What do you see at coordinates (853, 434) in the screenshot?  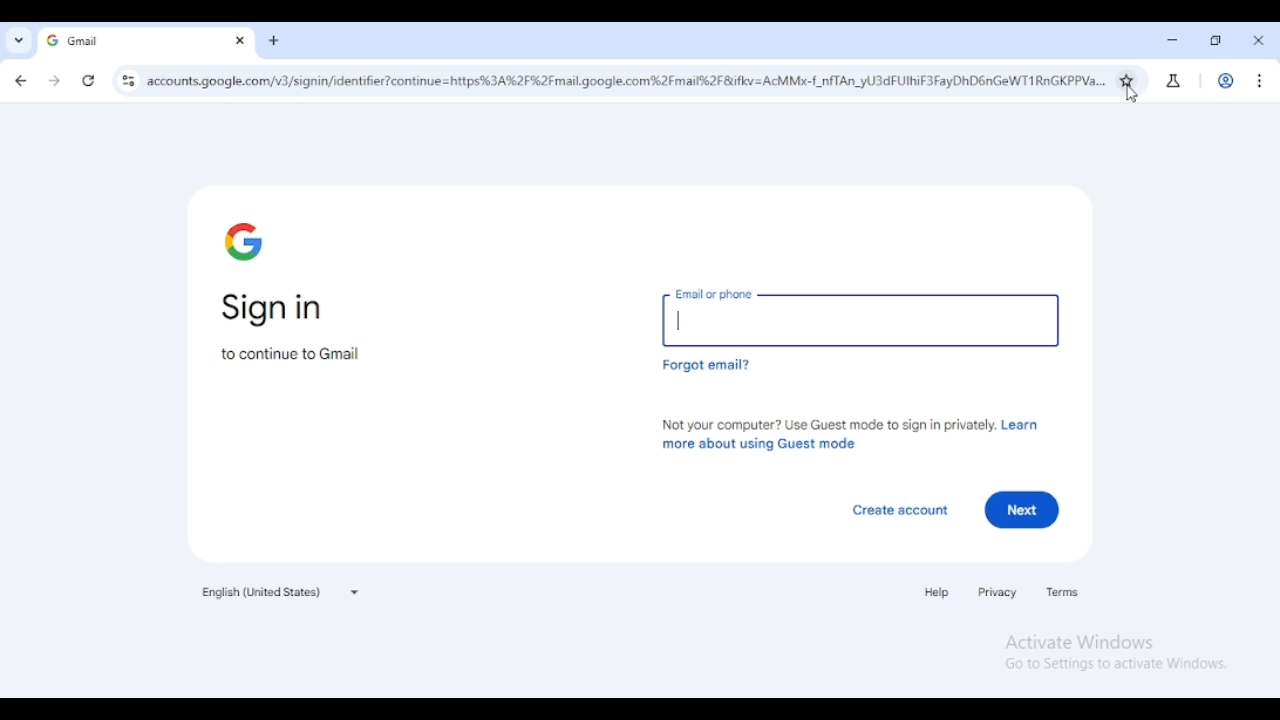 I see `not your computer? use guest mode to sign in privately. learn more about using guest mode` at bounding box center [853, 434].